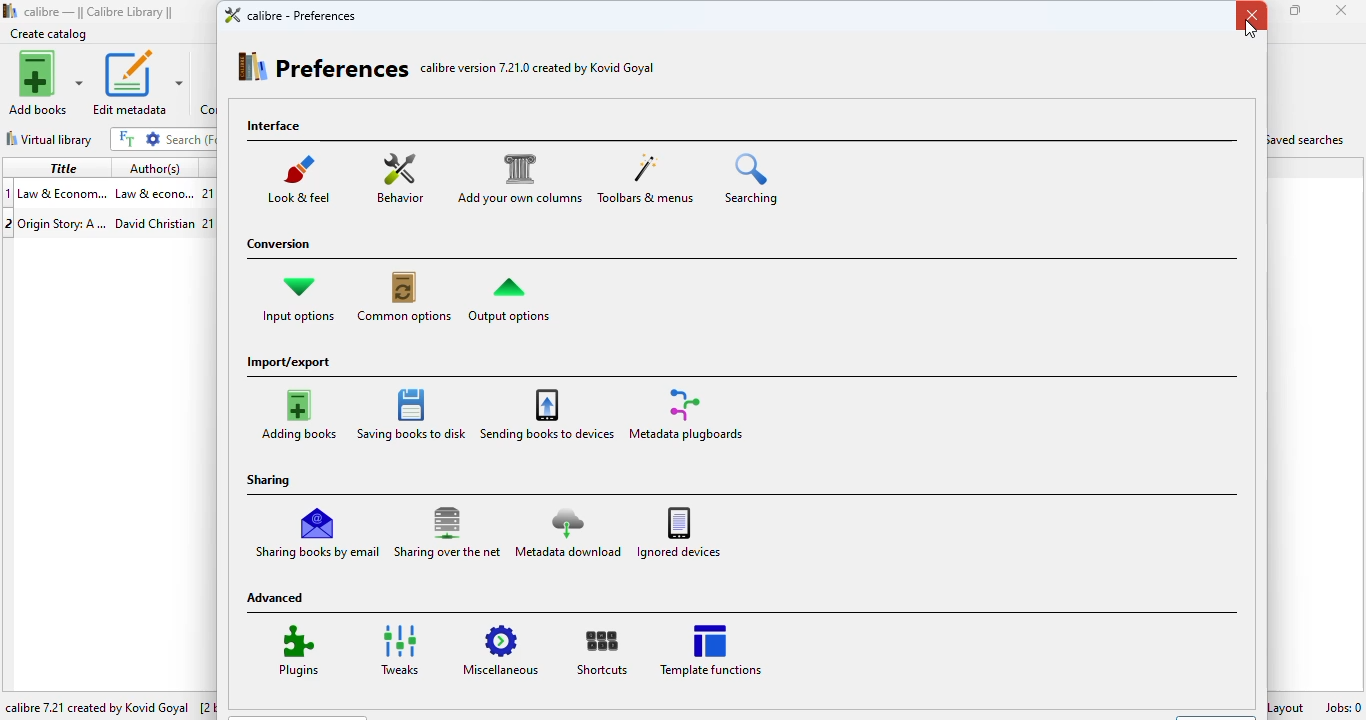  I want to click on adding books, so click(301, 411).